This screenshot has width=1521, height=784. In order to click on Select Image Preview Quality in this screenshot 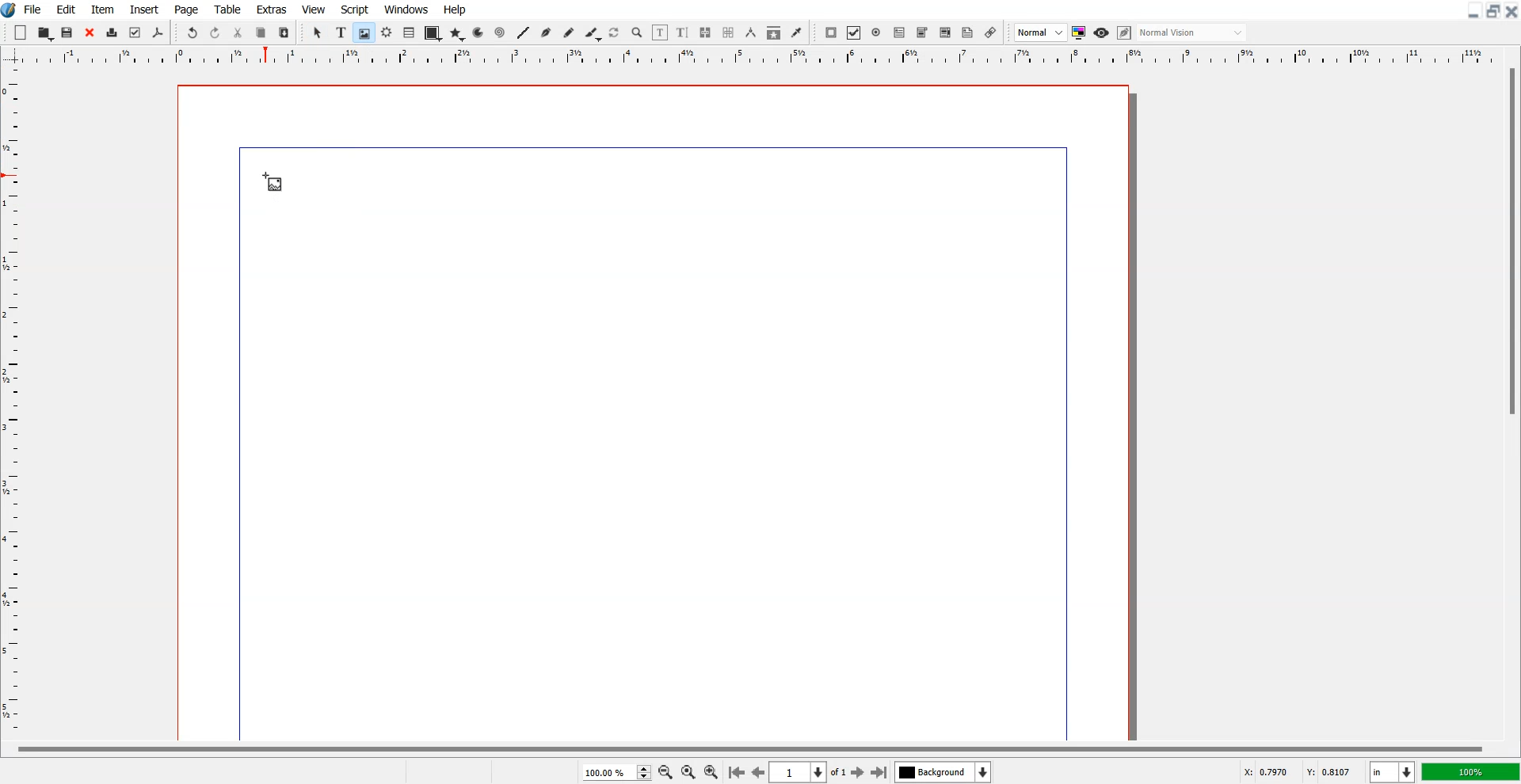, I will do `click(1040, 32)`.